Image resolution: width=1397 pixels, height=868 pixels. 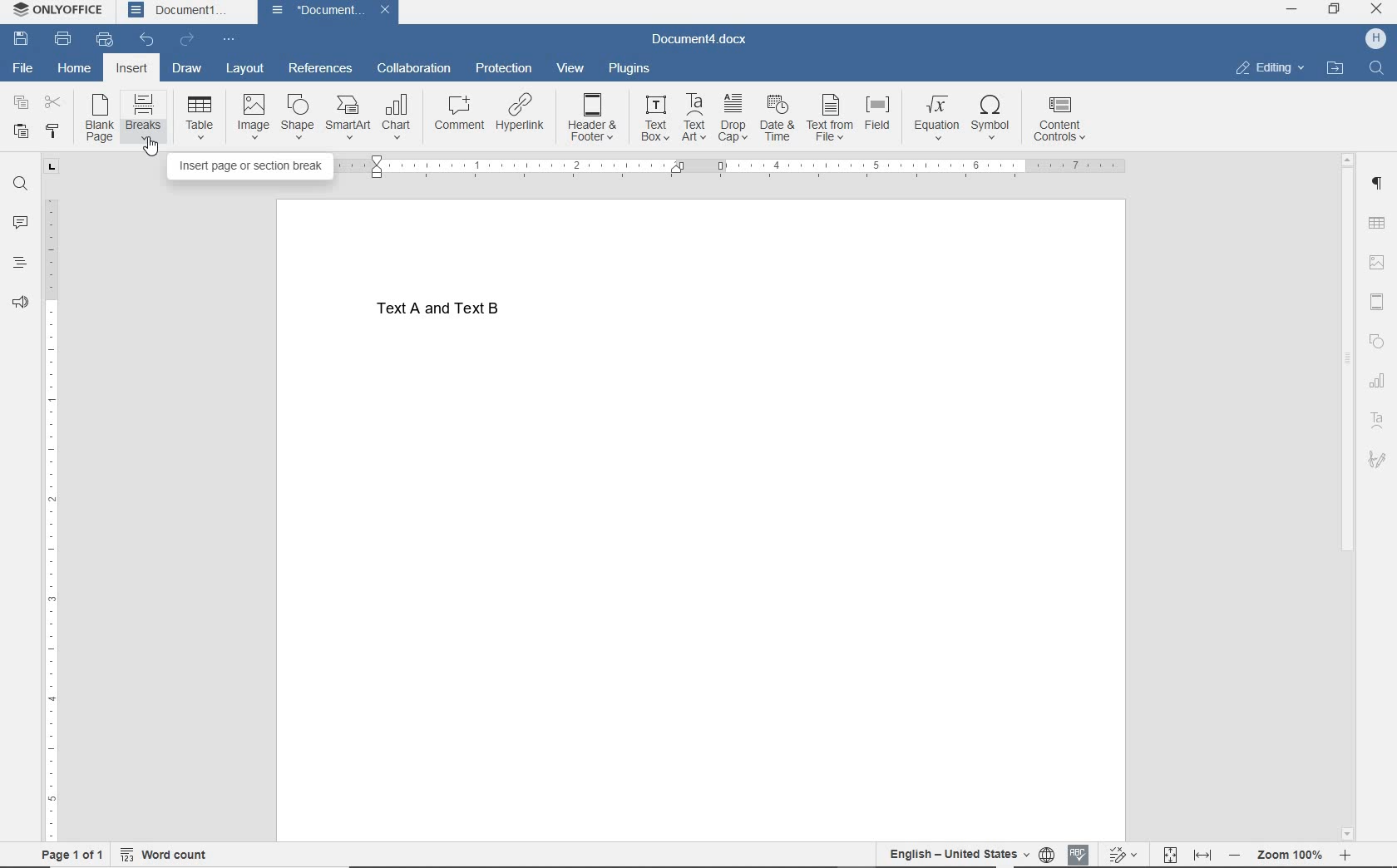 What do you see at coordinates (250, 117) in the screenshot?
I see `IMAGE` at bounding box center [250, 117].